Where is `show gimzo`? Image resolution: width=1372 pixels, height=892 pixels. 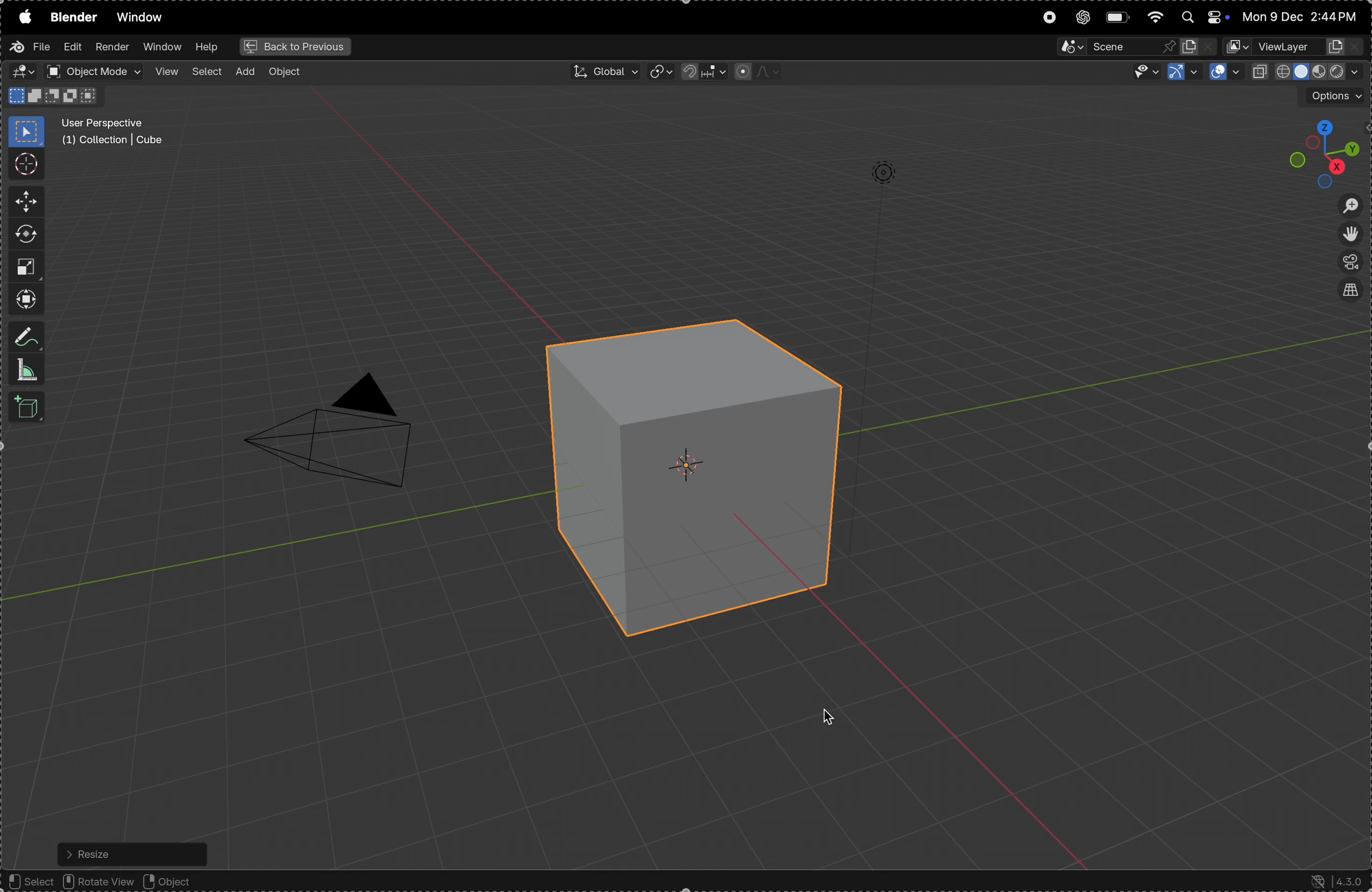
show gimzo is located at coordinates (1182, 71).